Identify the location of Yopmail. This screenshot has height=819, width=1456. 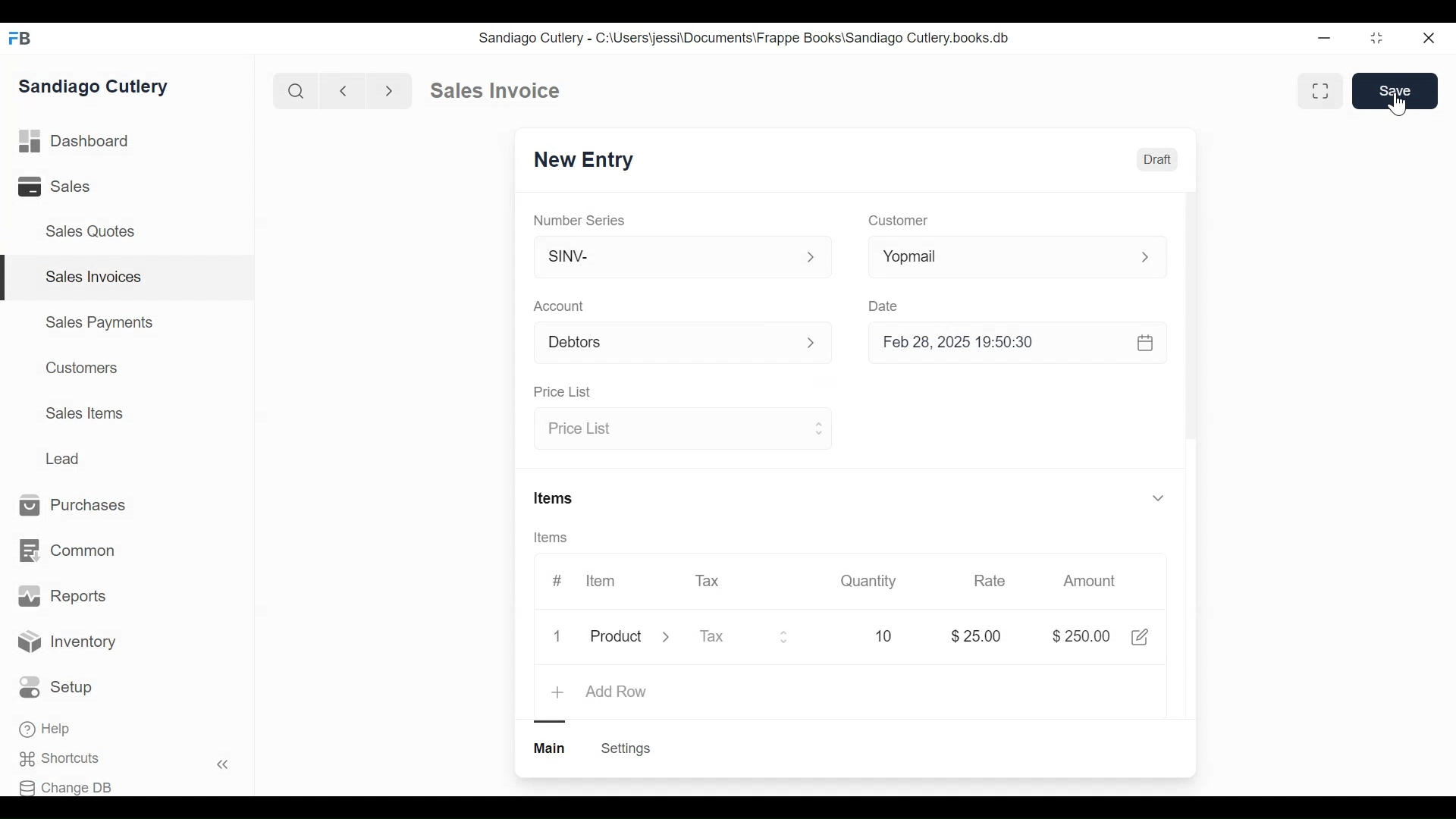
(1018, 256).